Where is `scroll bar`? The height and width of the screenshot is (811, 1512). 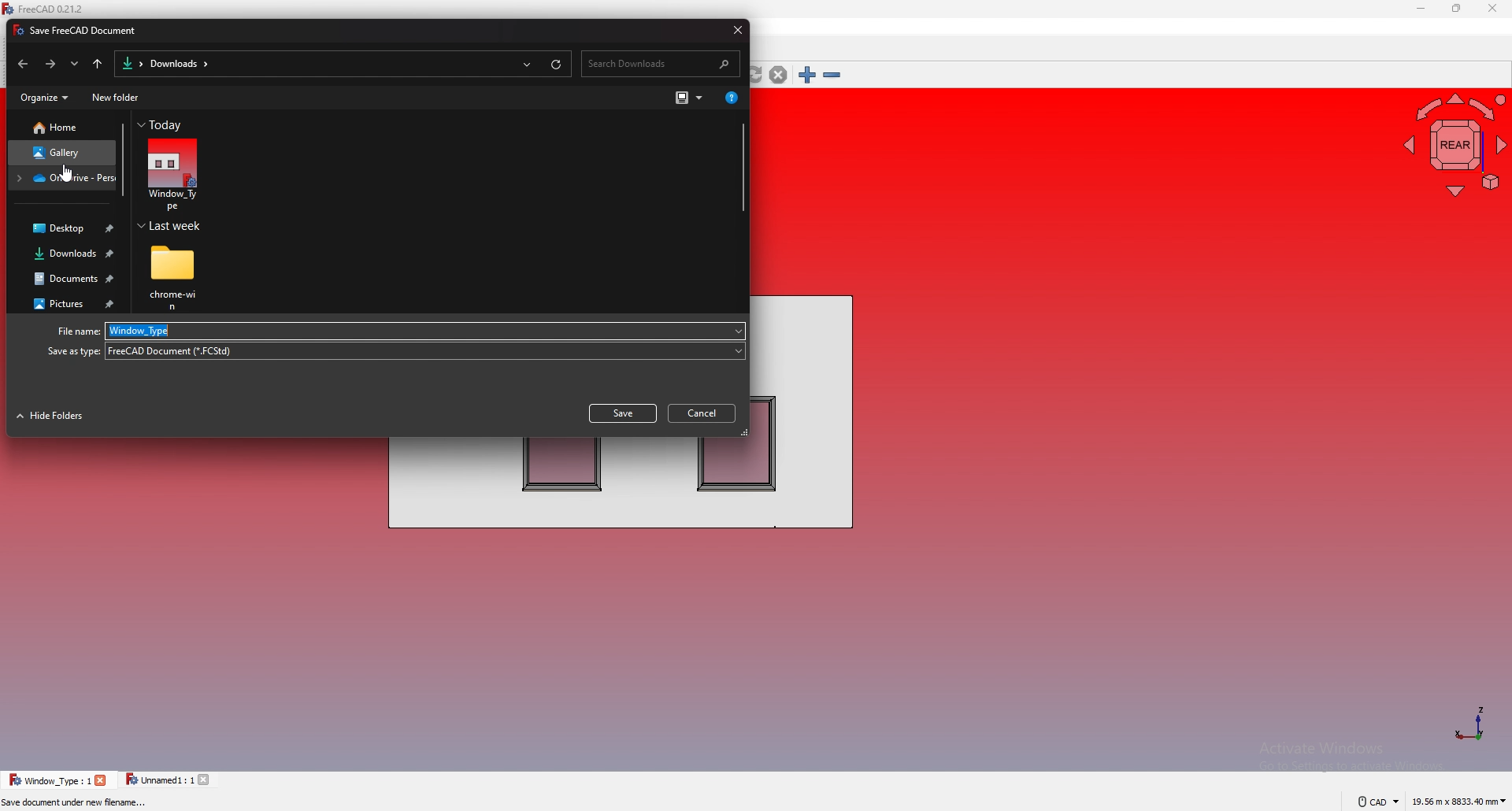
scroll bar is located at coordinates (122, 161).